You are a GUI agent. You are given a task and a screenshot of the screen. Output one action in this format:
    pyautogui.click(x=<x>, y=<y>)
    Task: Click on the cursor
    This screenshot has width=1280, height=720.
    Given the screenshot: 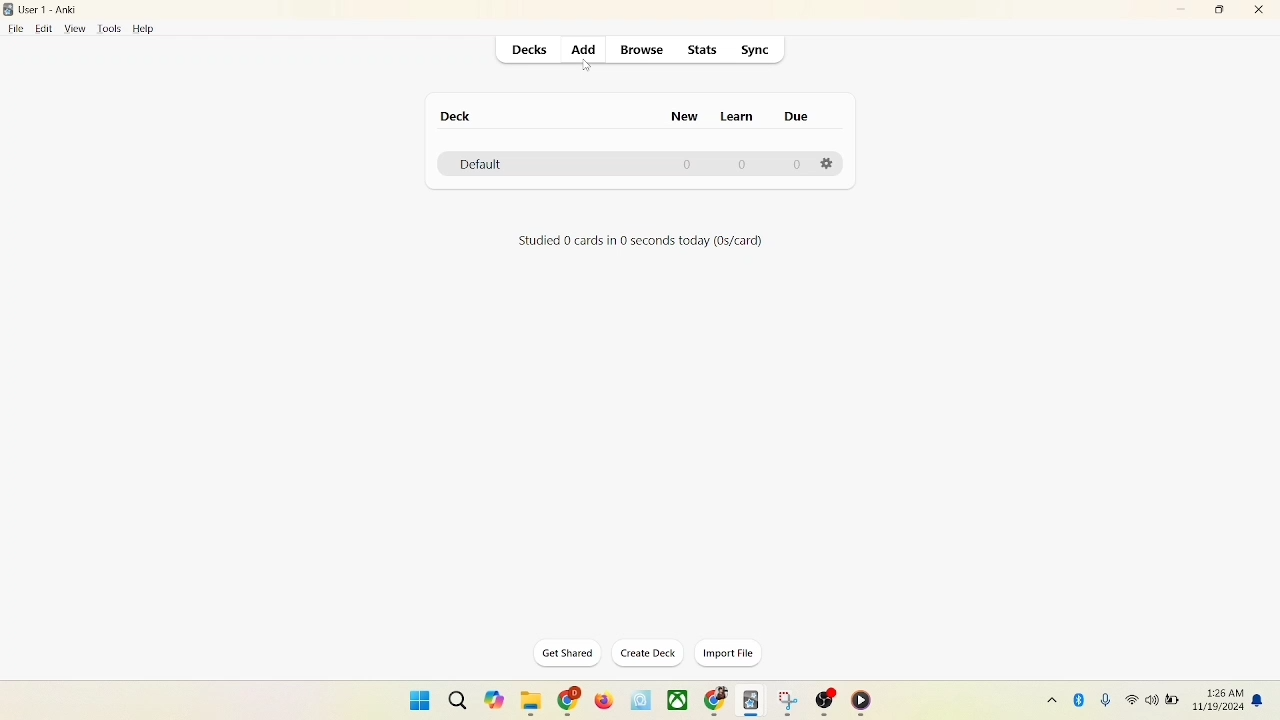 What is the action you would take?
    pyautogui.click(x=589, y=67)
    